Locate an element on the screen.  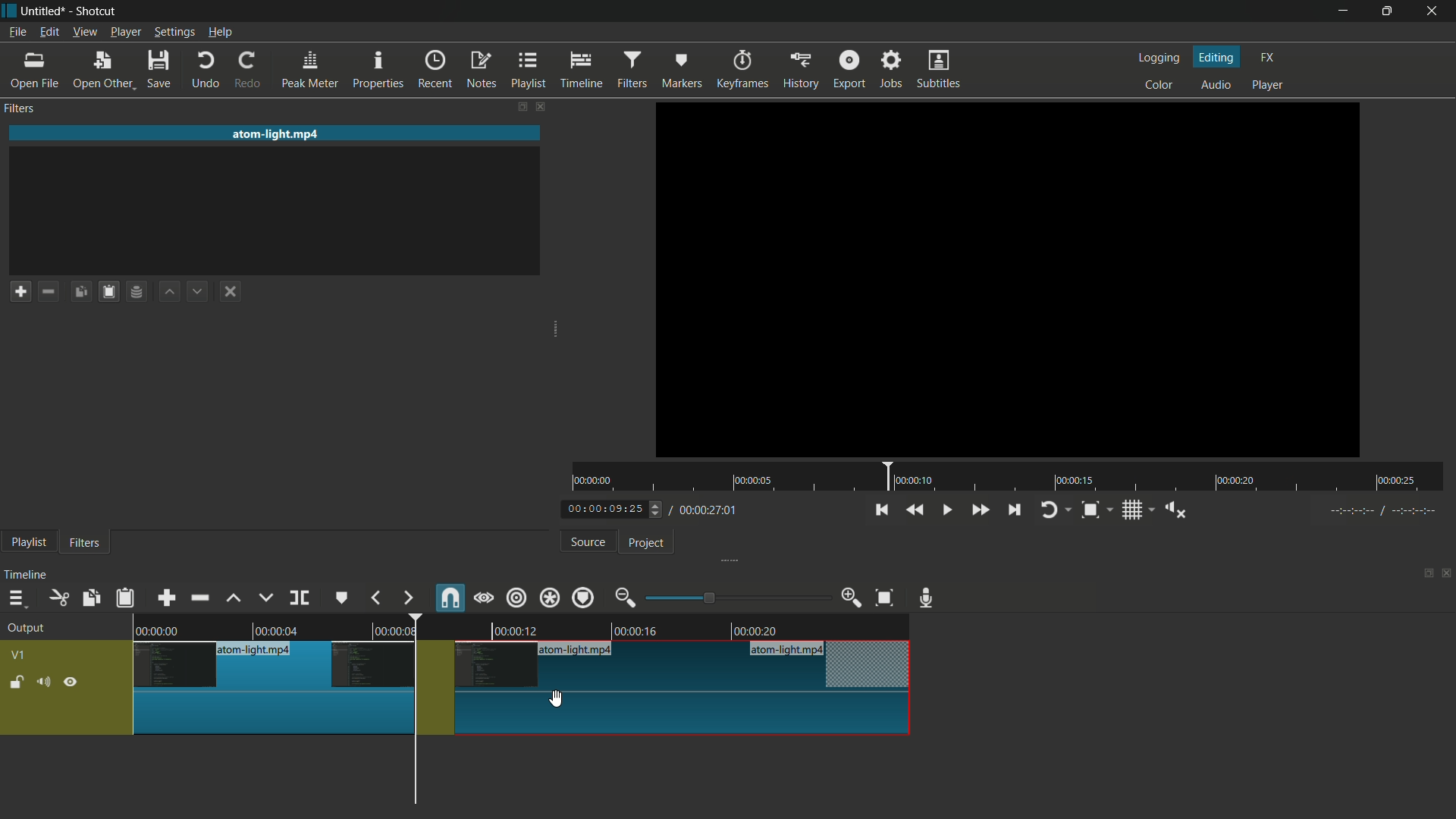
video track v1 is located at coordinates (521, 713).